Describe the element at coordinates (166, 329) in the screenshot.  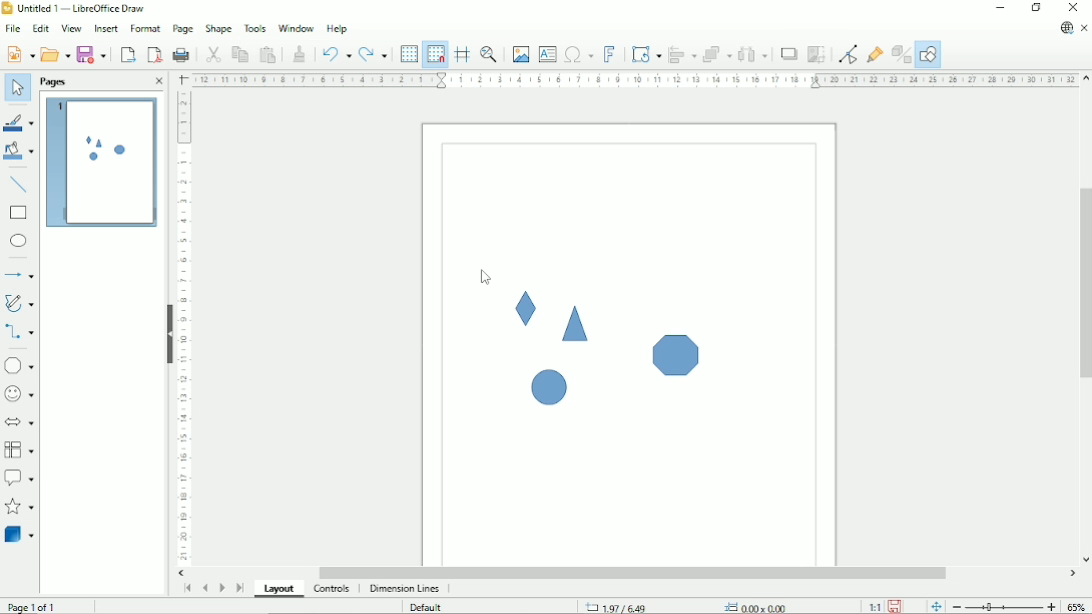
I see `Hide` at that location.